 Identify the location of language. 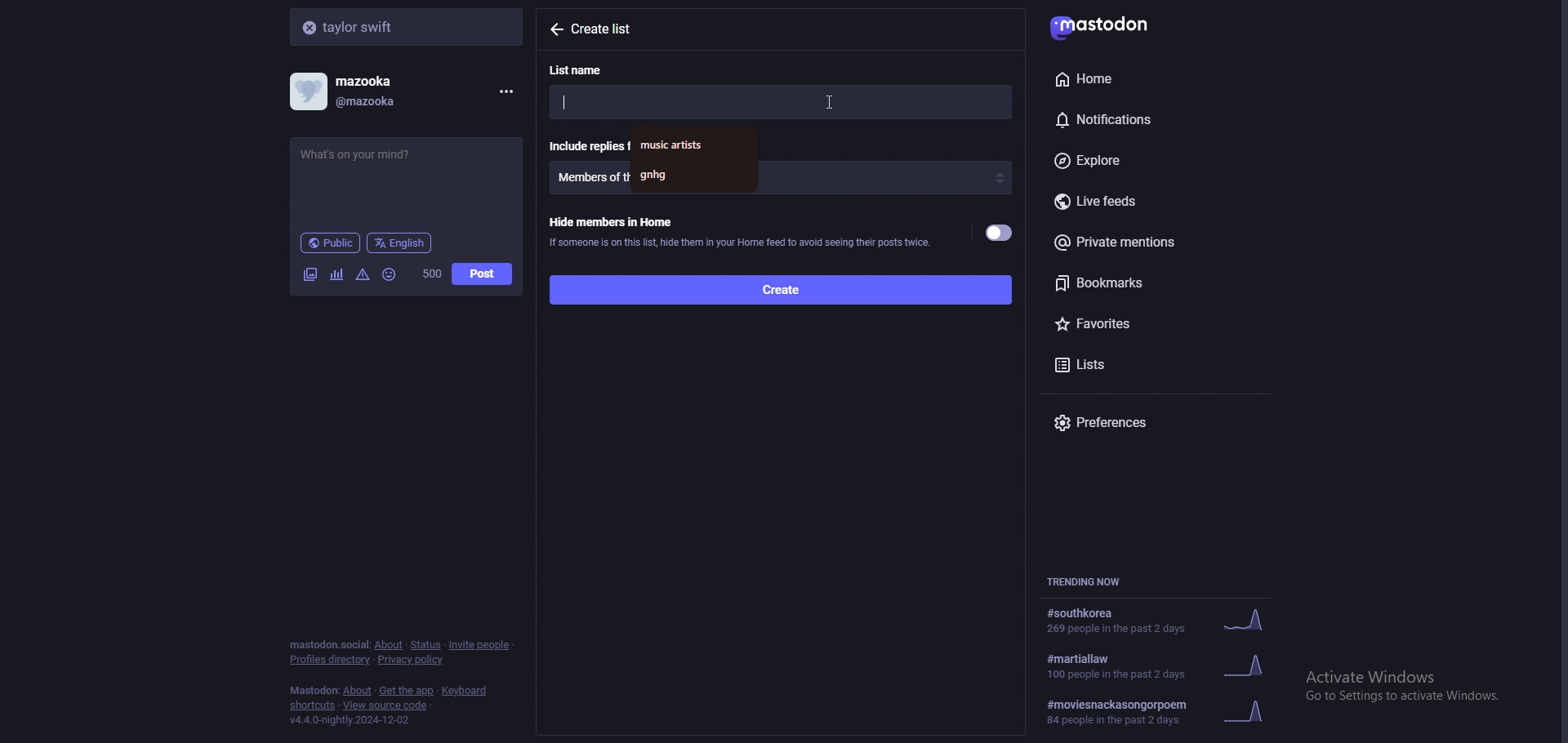
(400, 242).